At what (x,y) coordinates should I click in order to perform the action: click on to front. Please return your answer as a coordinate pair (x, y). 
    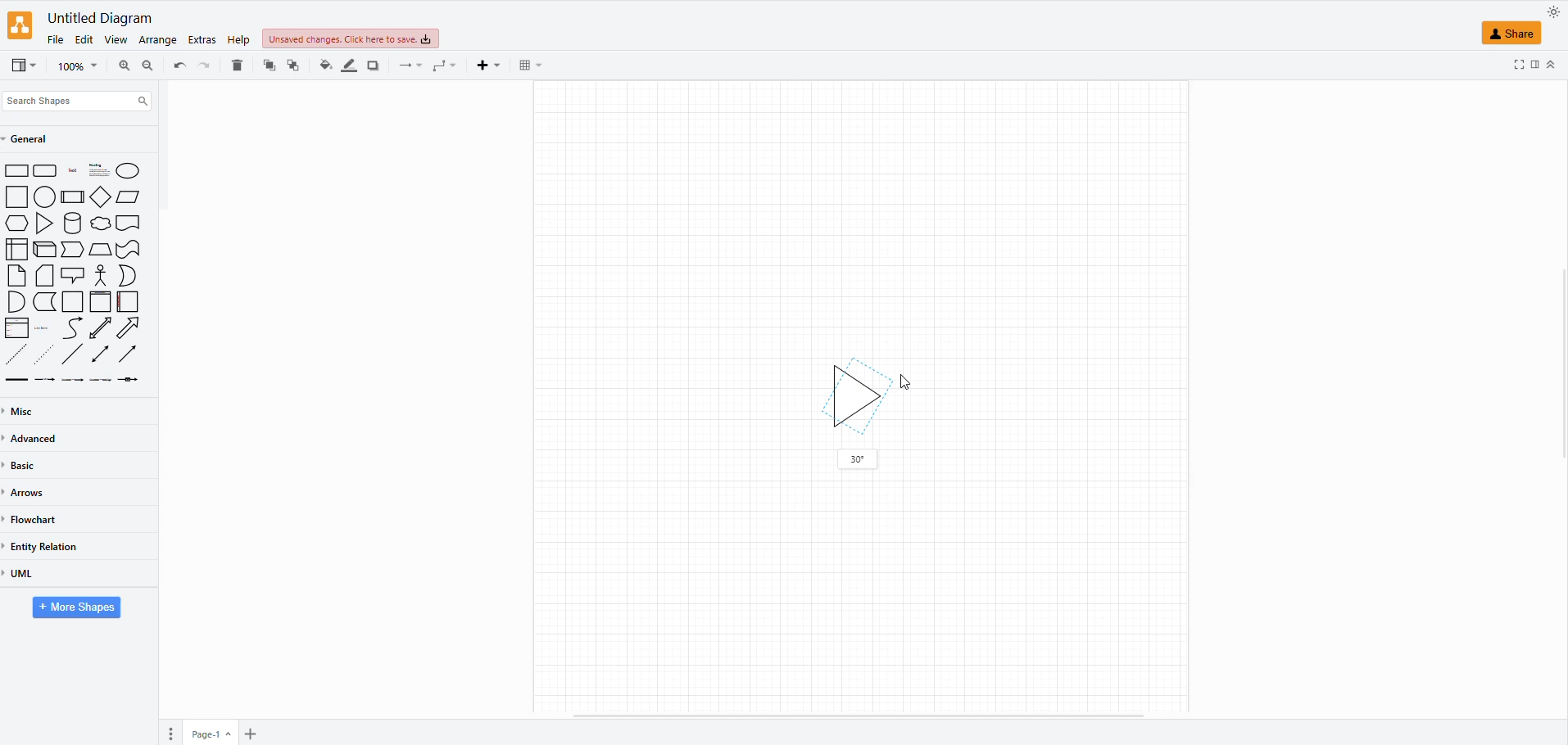
    Looking at the image, I should click on (294, 63).